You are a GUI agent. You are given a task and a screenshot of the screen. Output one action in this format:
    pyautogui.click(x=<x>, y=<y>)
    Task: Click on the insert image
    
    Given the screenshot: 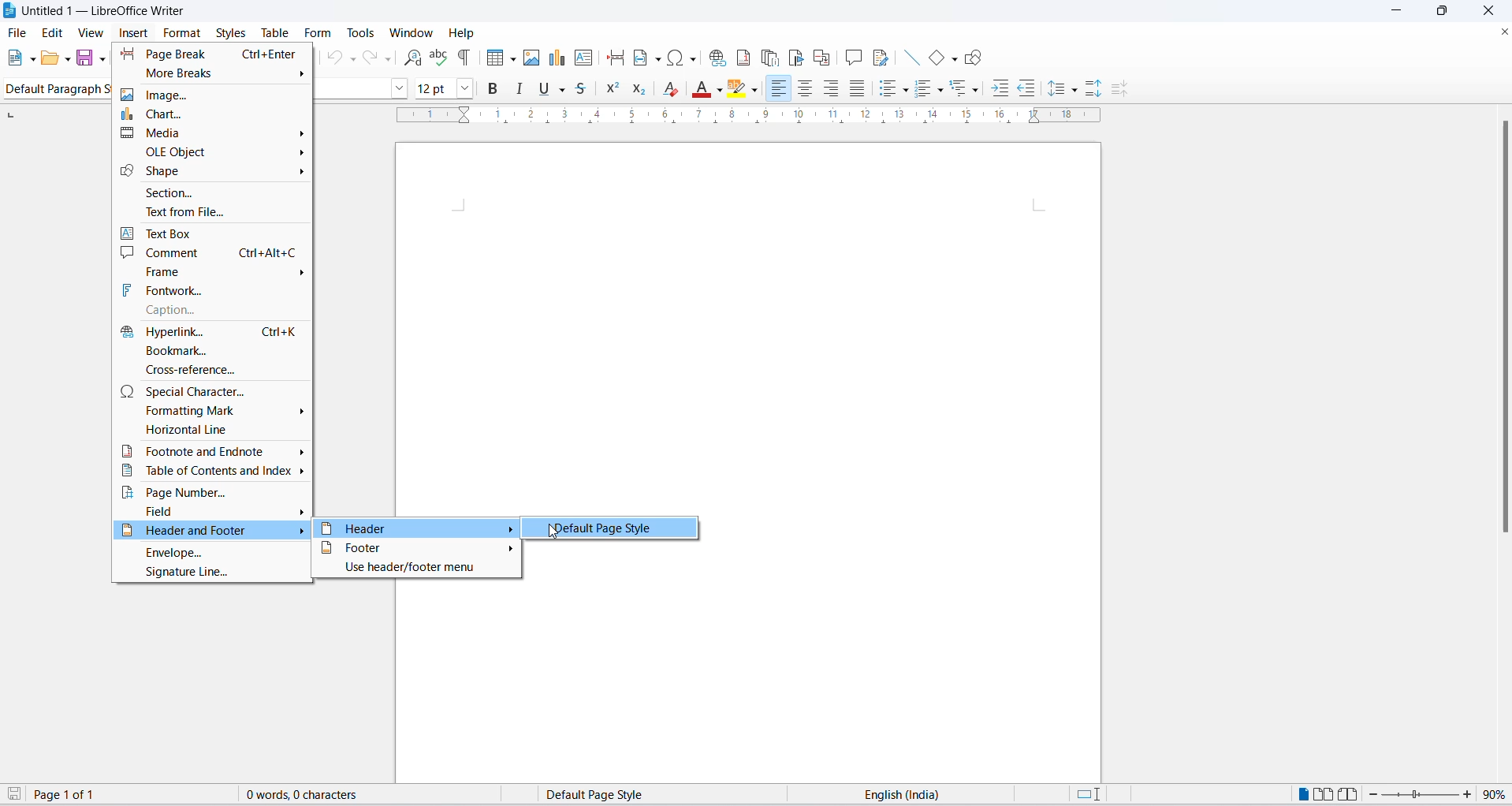 What is the action you would take?
    pyautogui.click(x=533, y=59)
    